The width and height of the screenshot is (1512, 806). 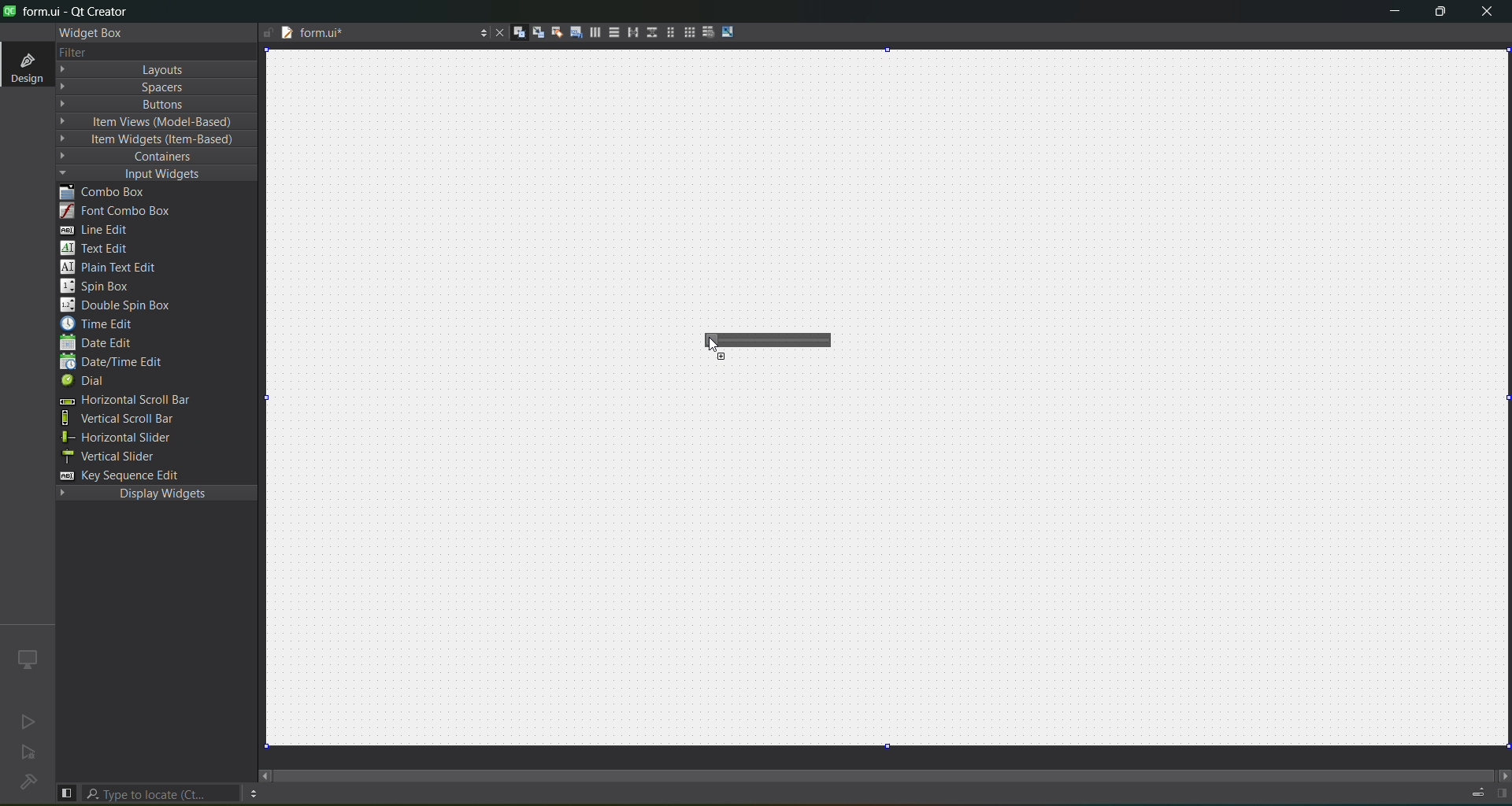 What do you see at coordinates (135, 87) in the screenshot?
I see `spaces` at bounding box center [135, 87].